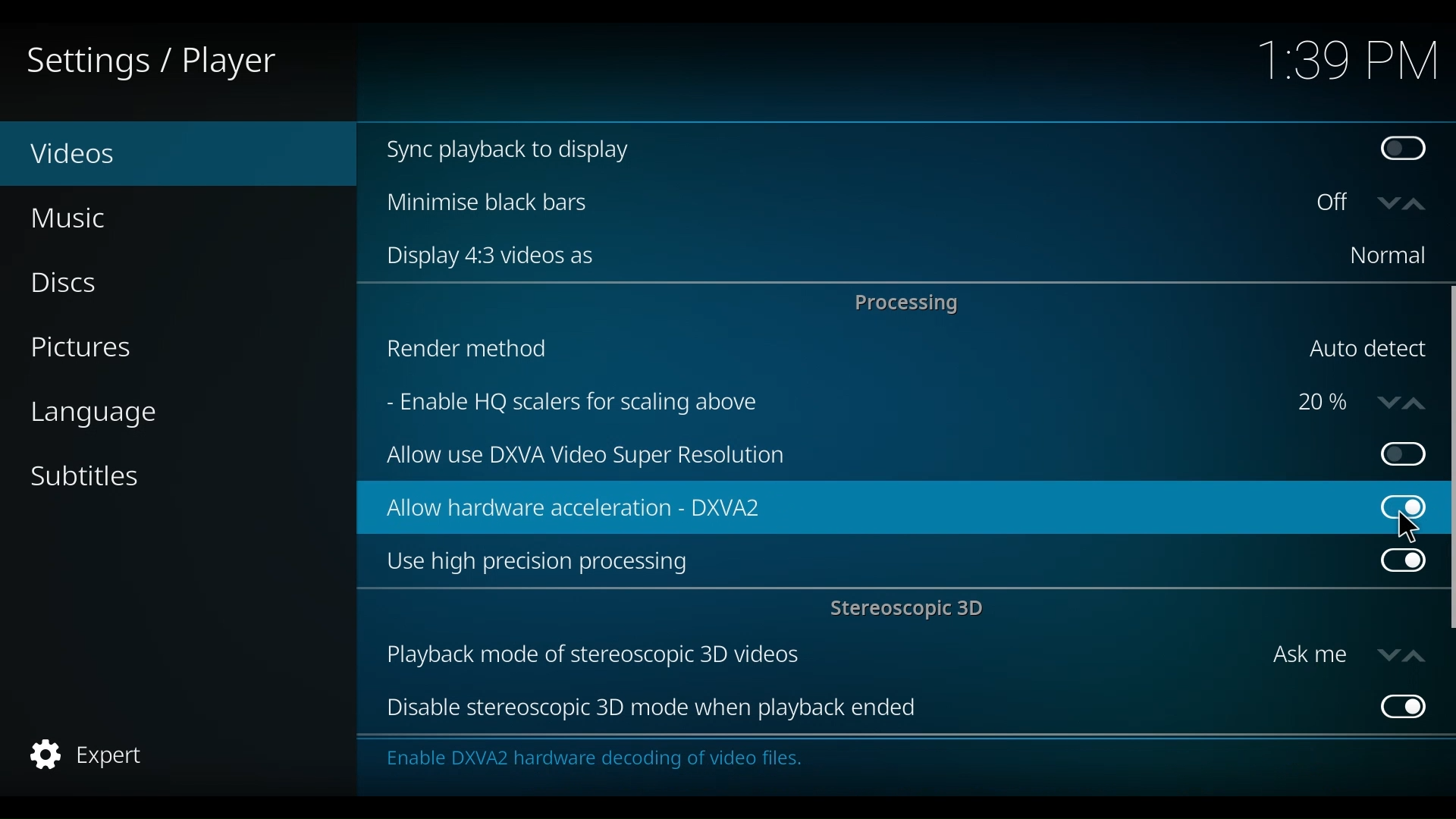 This screenshot has width=1456, height=819. What do you see at coordinates (1384, 401) in the screenshot?
I see `down` at bounding box center [1384, 401].